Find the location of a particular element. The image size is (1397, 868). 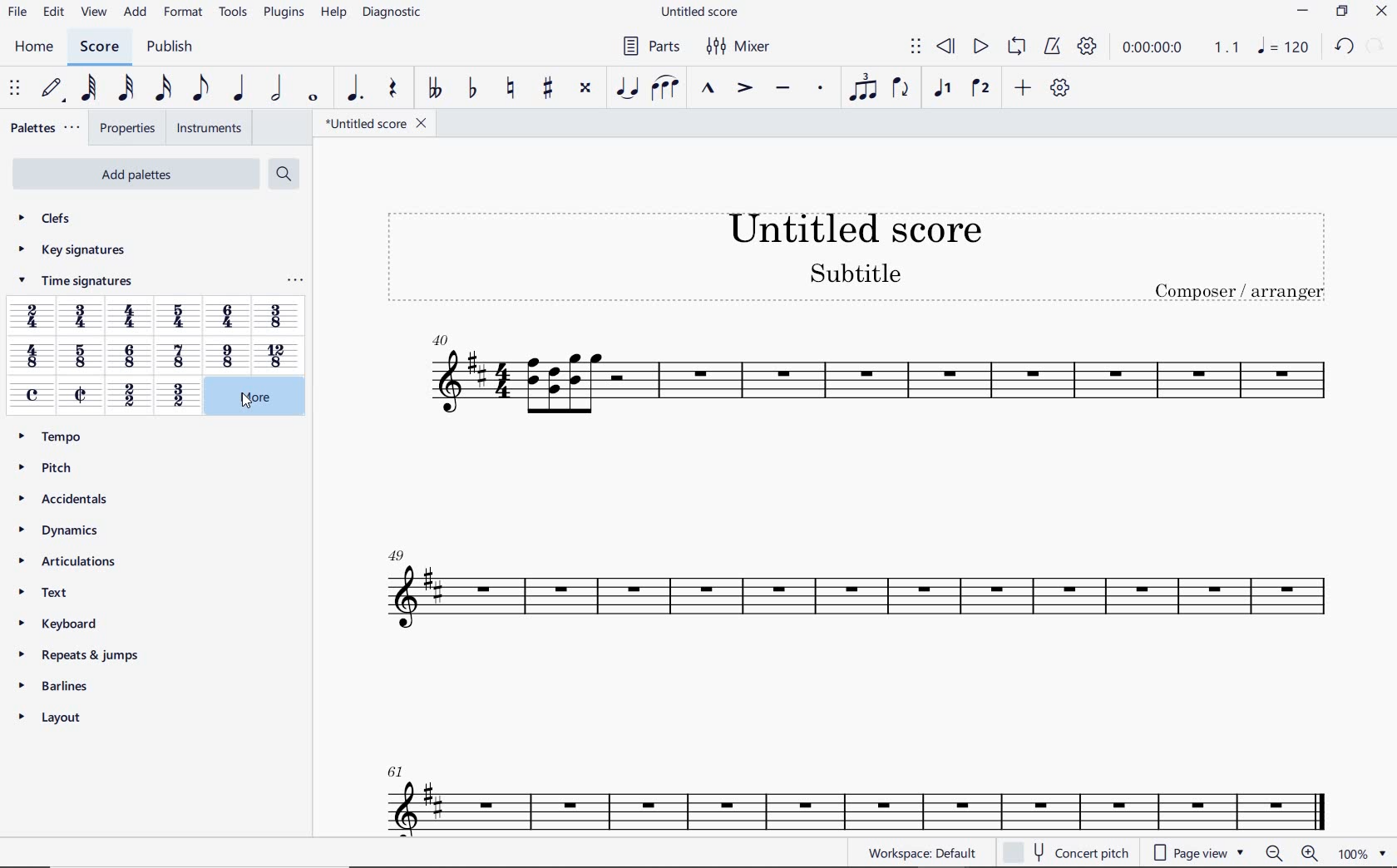

PUBLISH is located at coordinates (173, 47).